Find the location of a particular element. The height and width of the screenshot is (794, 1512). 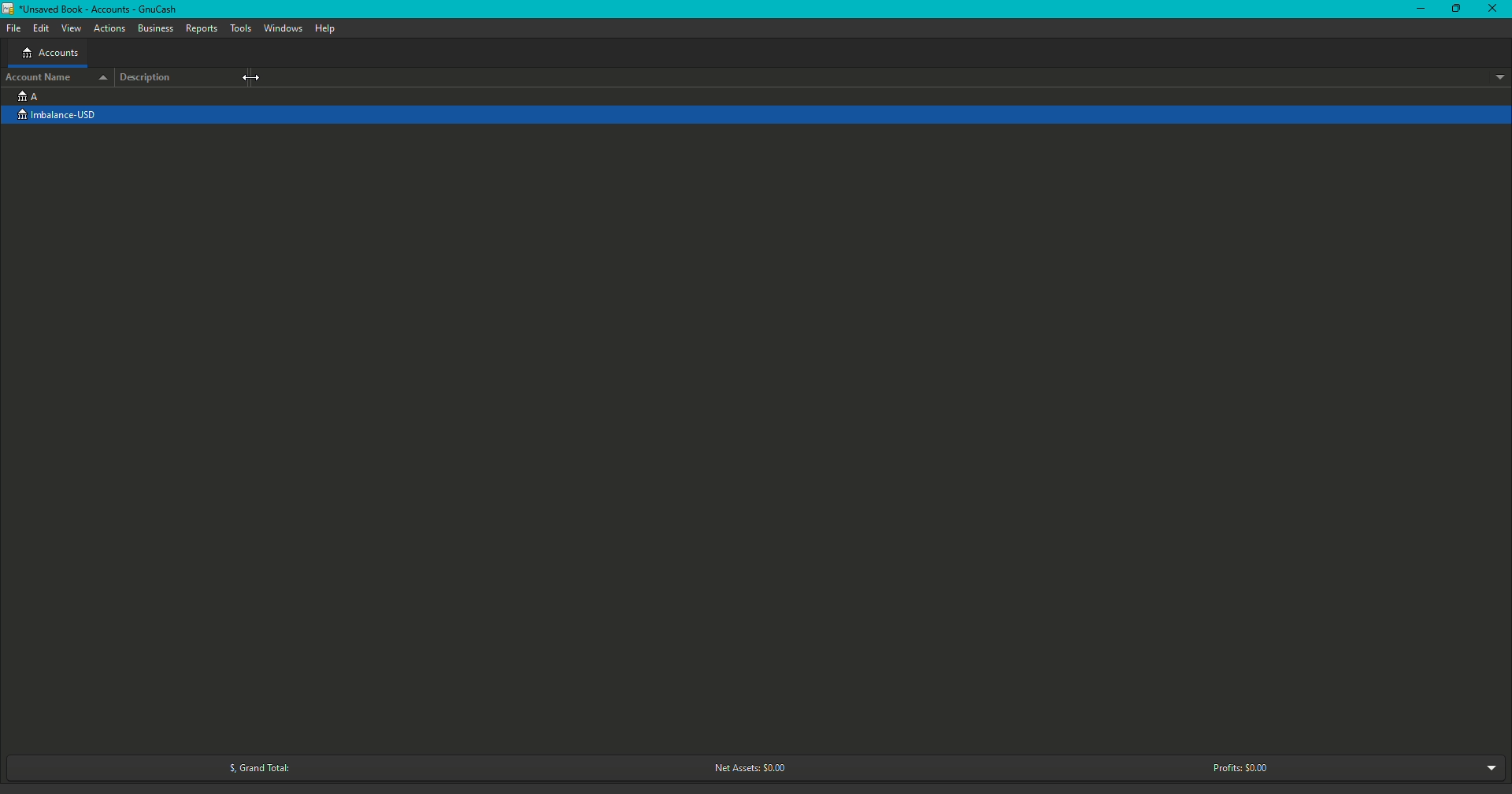

Help is located at coordinates (324, 28).